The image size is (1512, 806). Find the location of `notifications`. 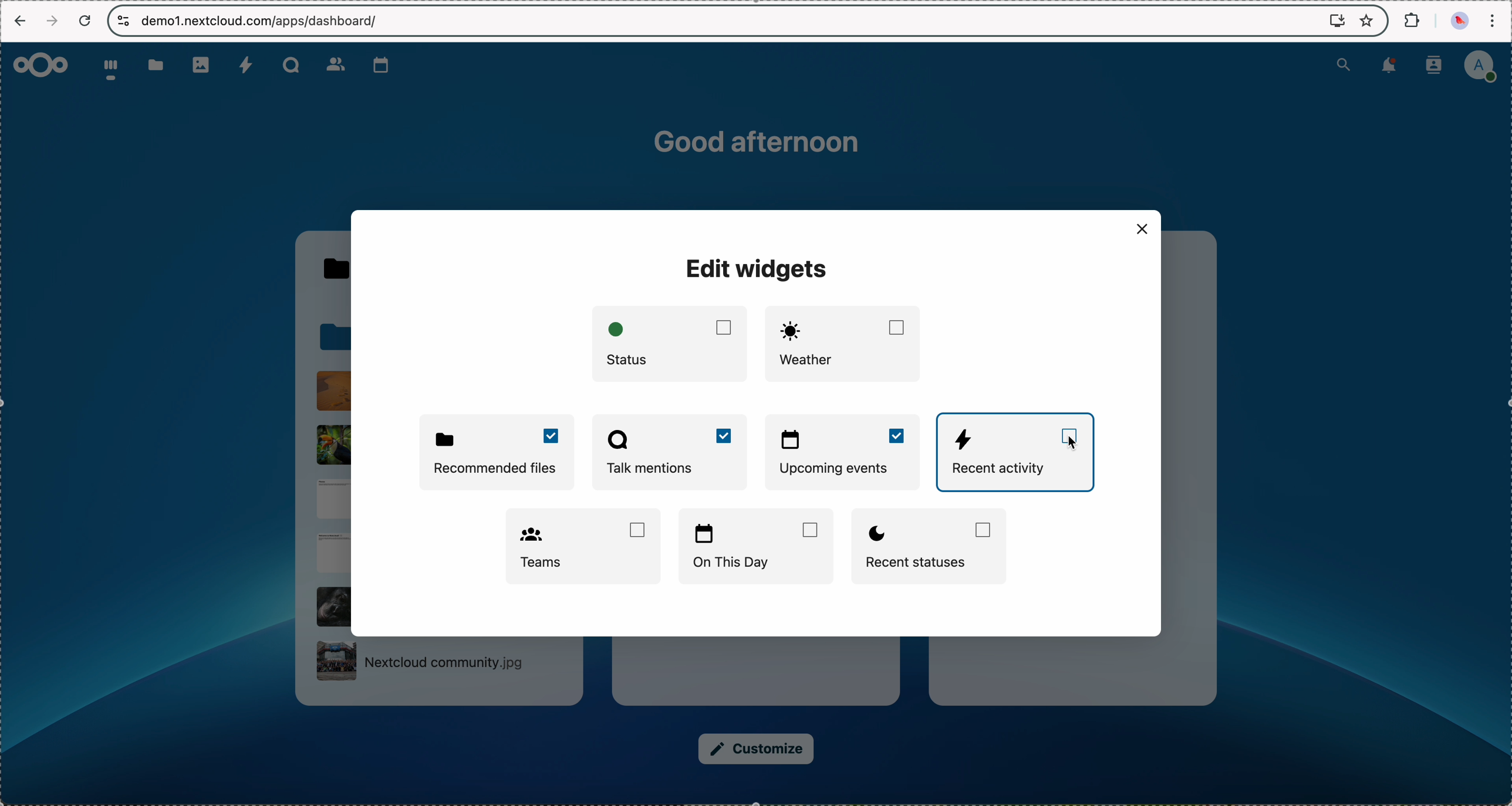

notifications is located at coordinates (1389, 66).